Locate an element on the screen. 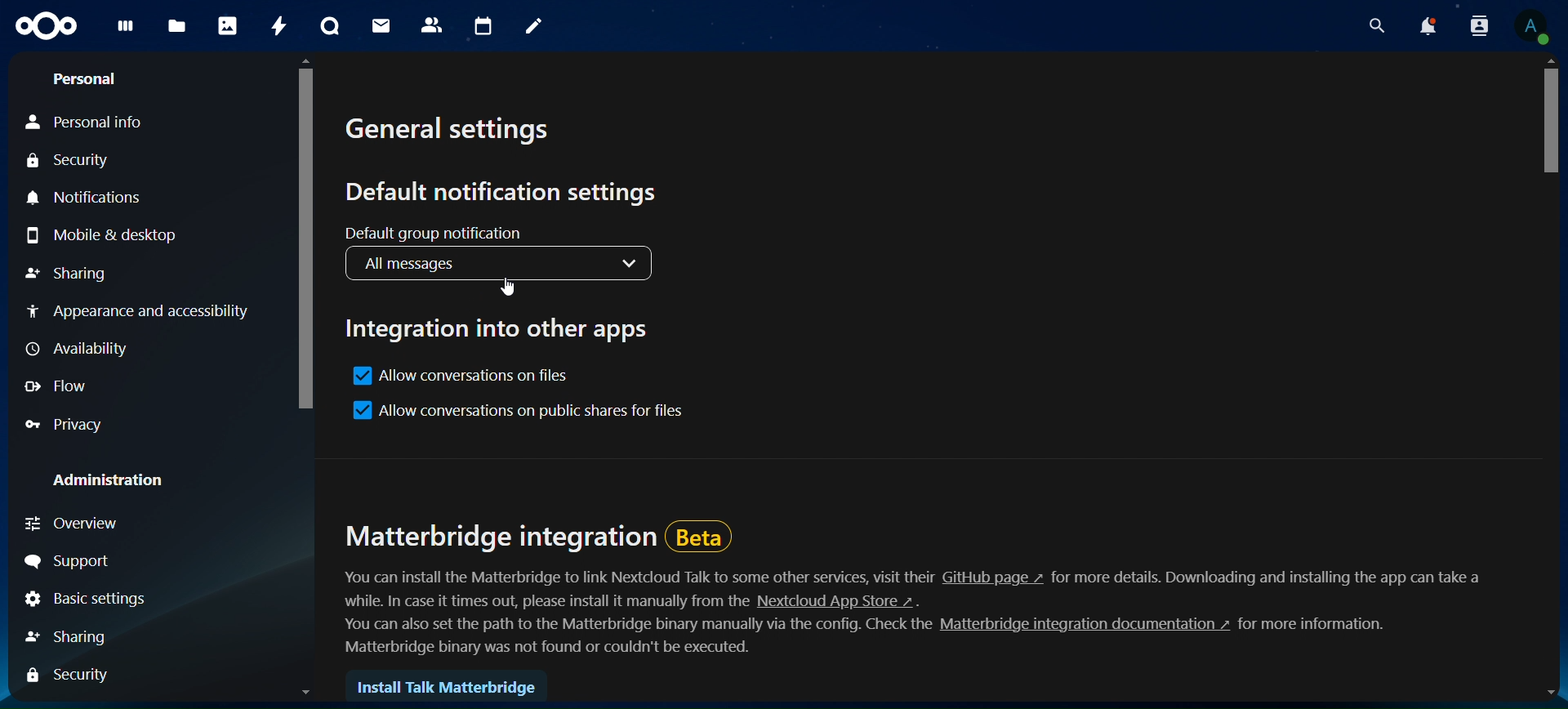 Image resolution: width=1568 pixels, height=709 pixels. photos is located at coordinates (227, 25).